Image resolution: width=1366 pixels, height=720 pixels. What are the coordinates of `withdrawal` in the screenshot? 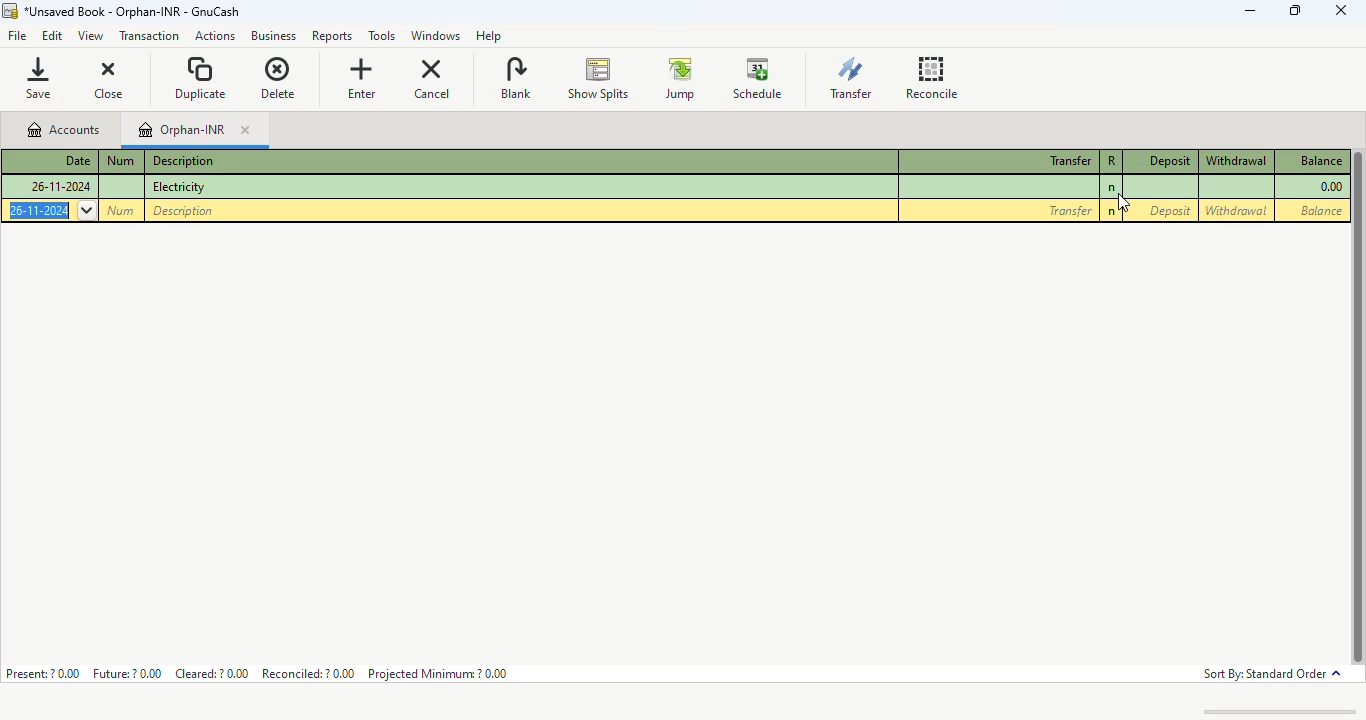 It's located at (1238, 211).